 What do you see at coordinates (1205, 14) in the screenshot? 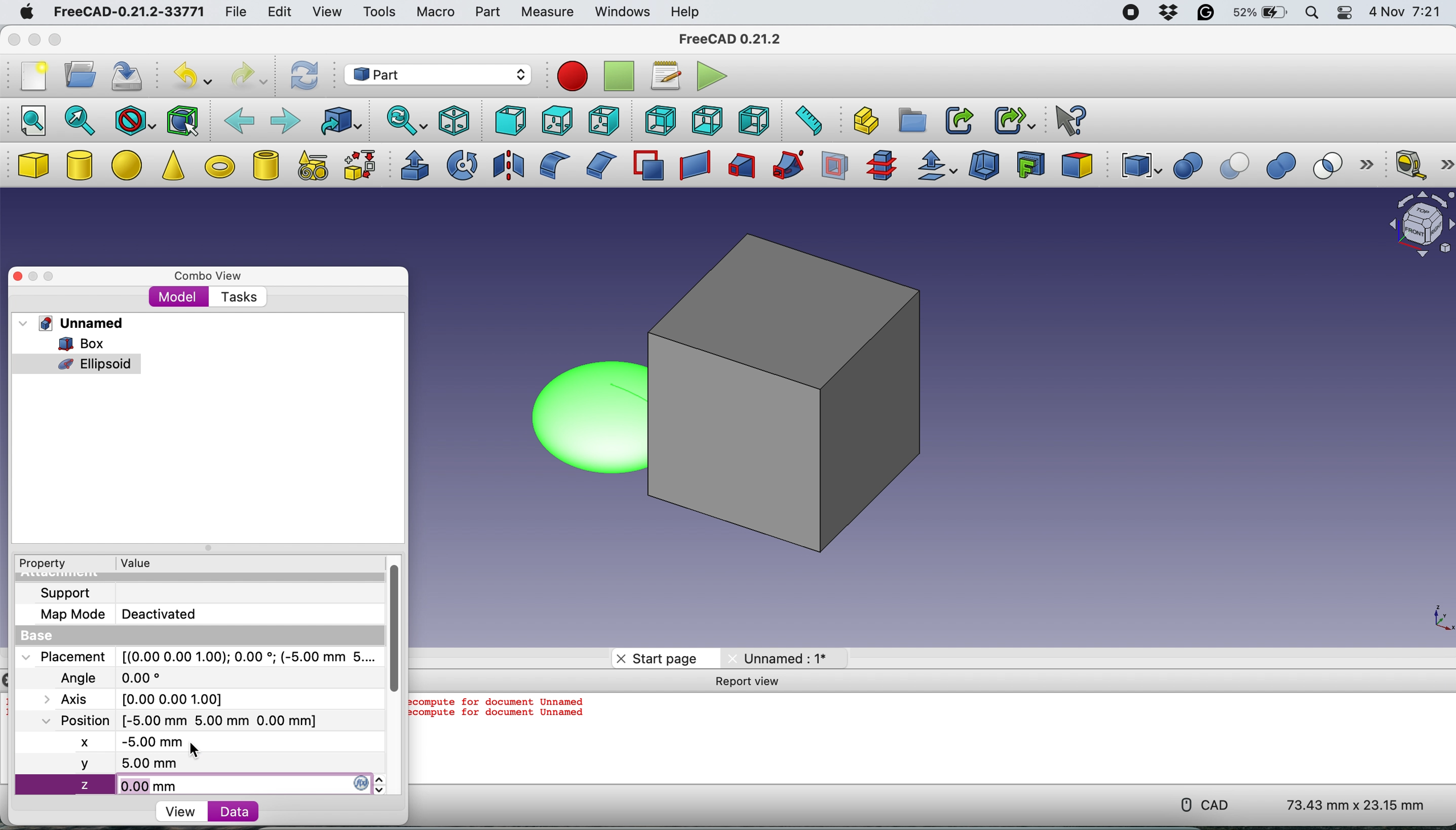
I see `grammarly` at bounding box center [1205, 14].